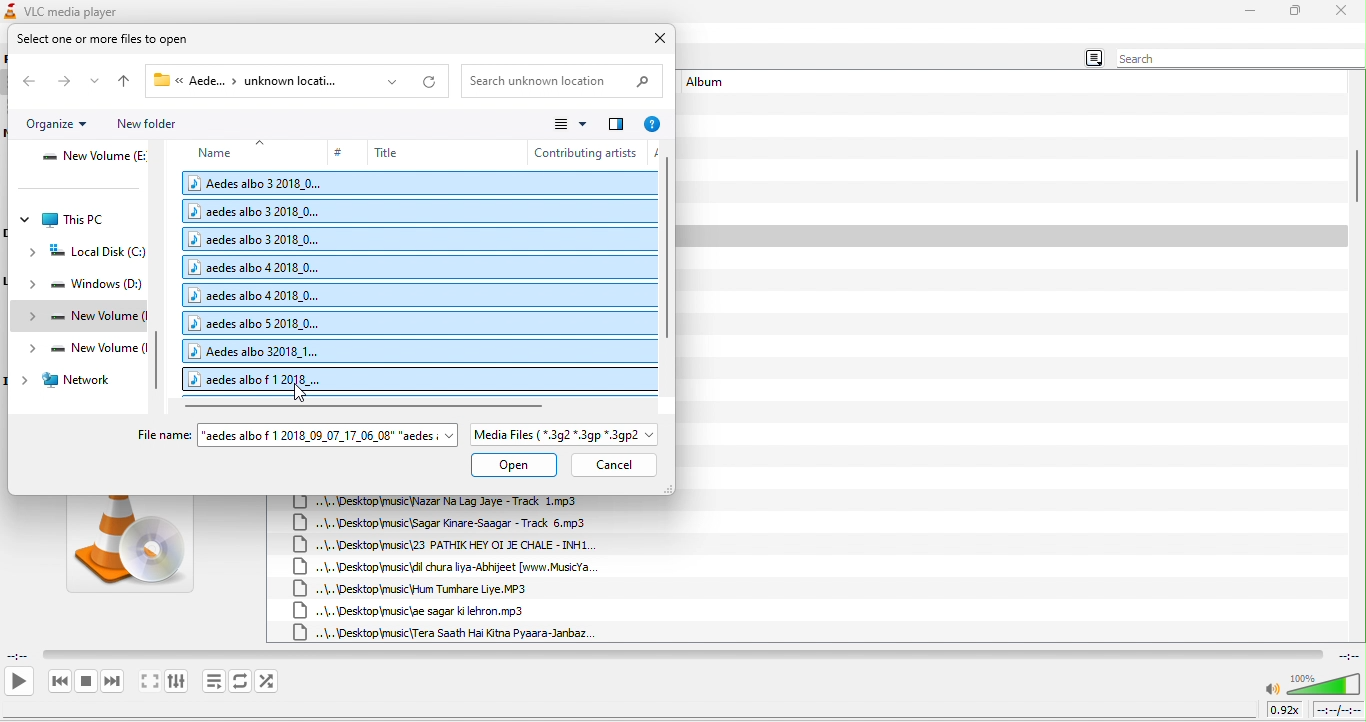 This screenshot has height=722, width=1366. I want to click on stop playback, so click(87, 681).